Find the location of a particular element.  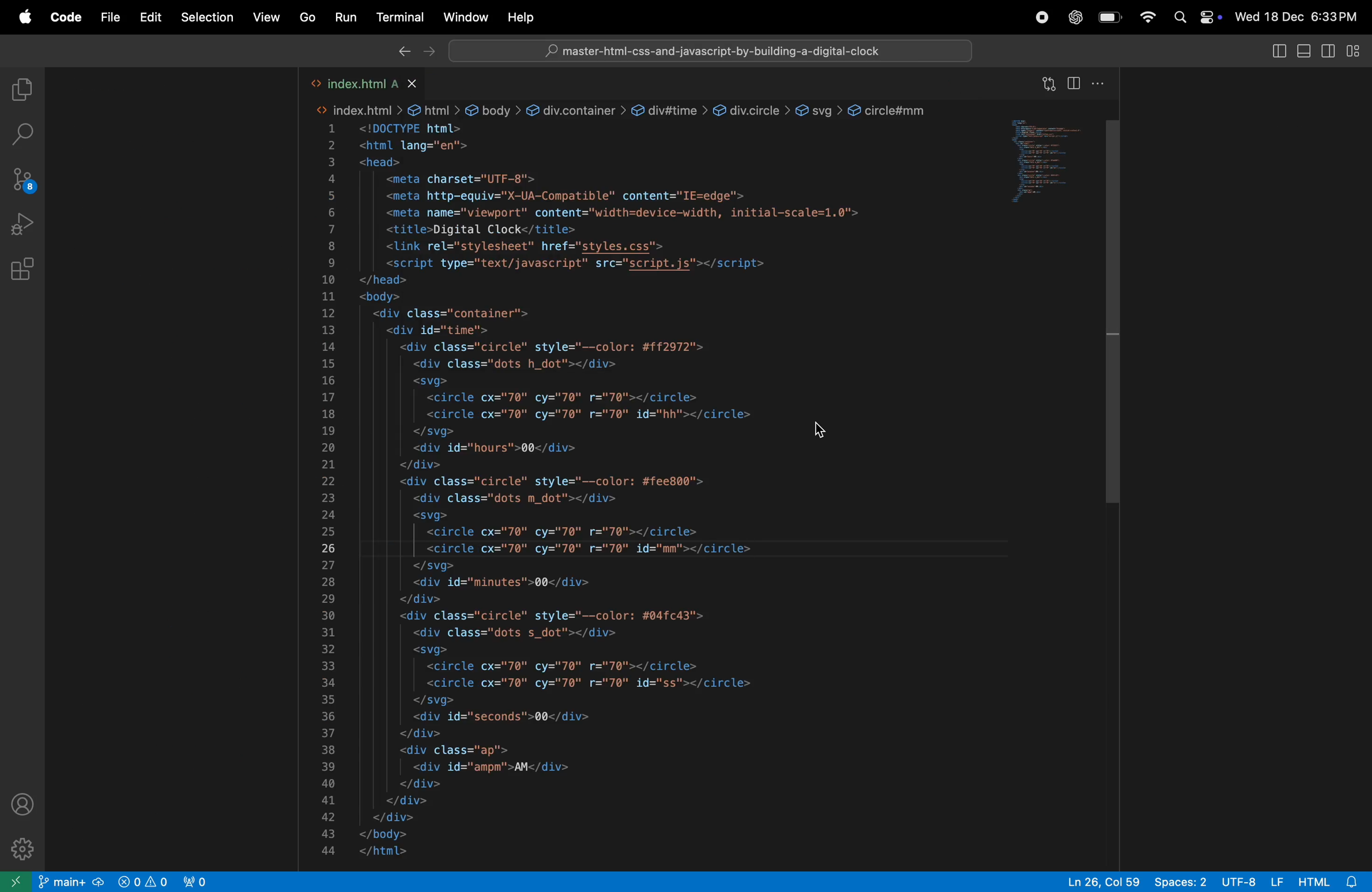

code window is located at coordinates (1043, 158).